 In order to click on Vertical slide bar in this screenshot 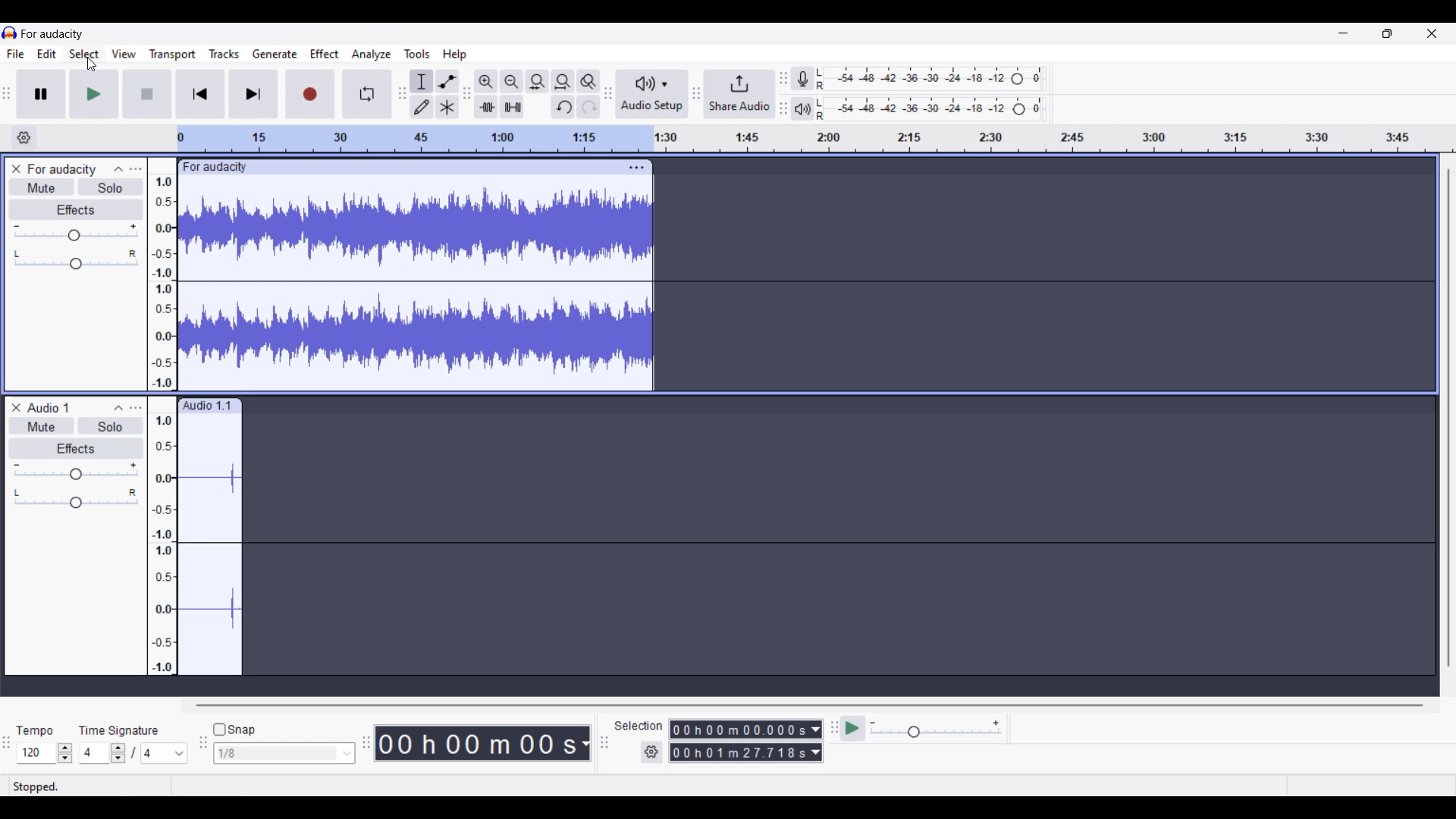, I will do `click(1449, 417)`.